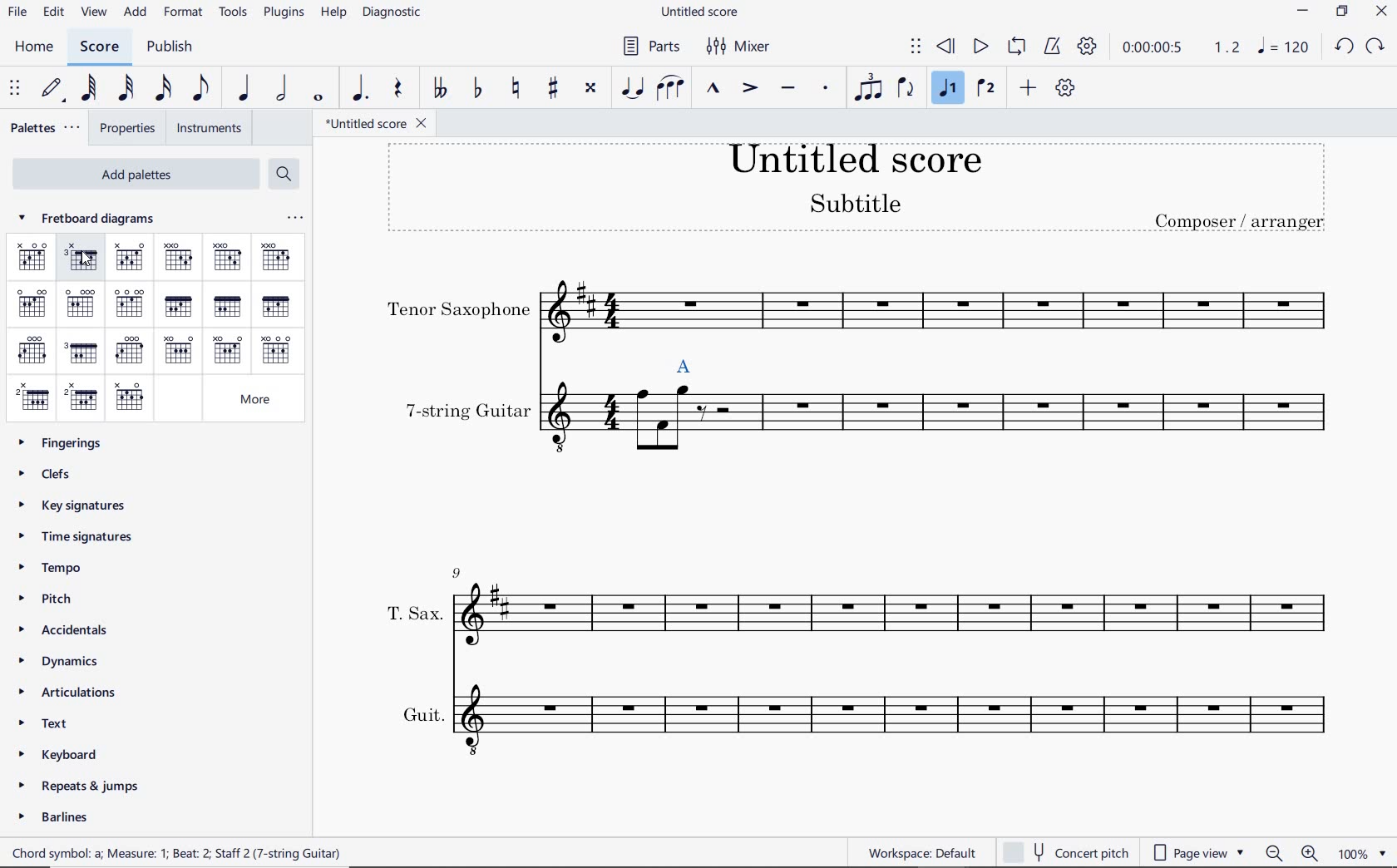  Describe the element at coordinates (1361, 851) in the screenshot. I see `zoom factor` at that location.